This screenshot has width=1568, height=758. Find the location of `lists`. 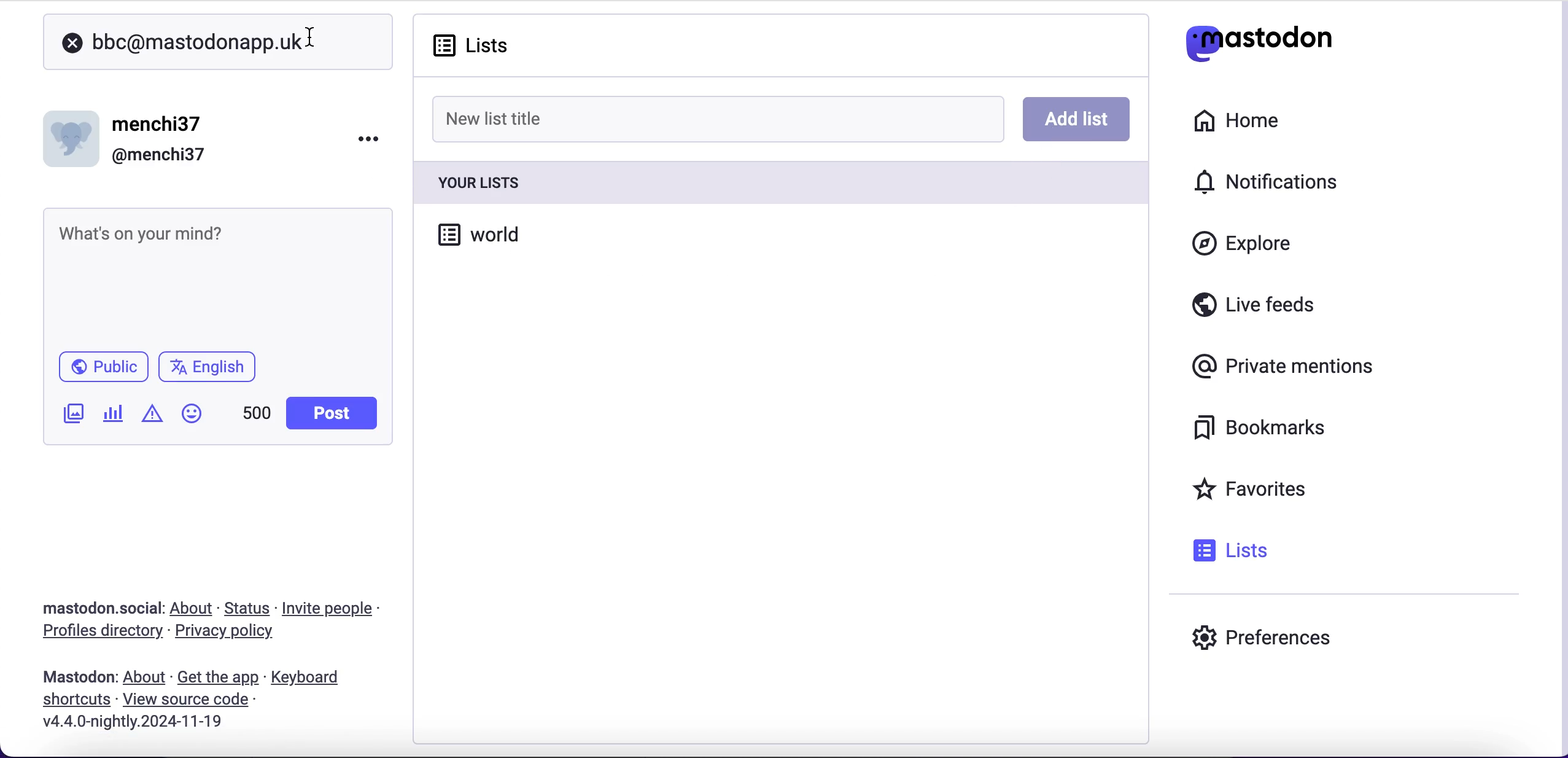

lists is located at coordinates (472, 44).